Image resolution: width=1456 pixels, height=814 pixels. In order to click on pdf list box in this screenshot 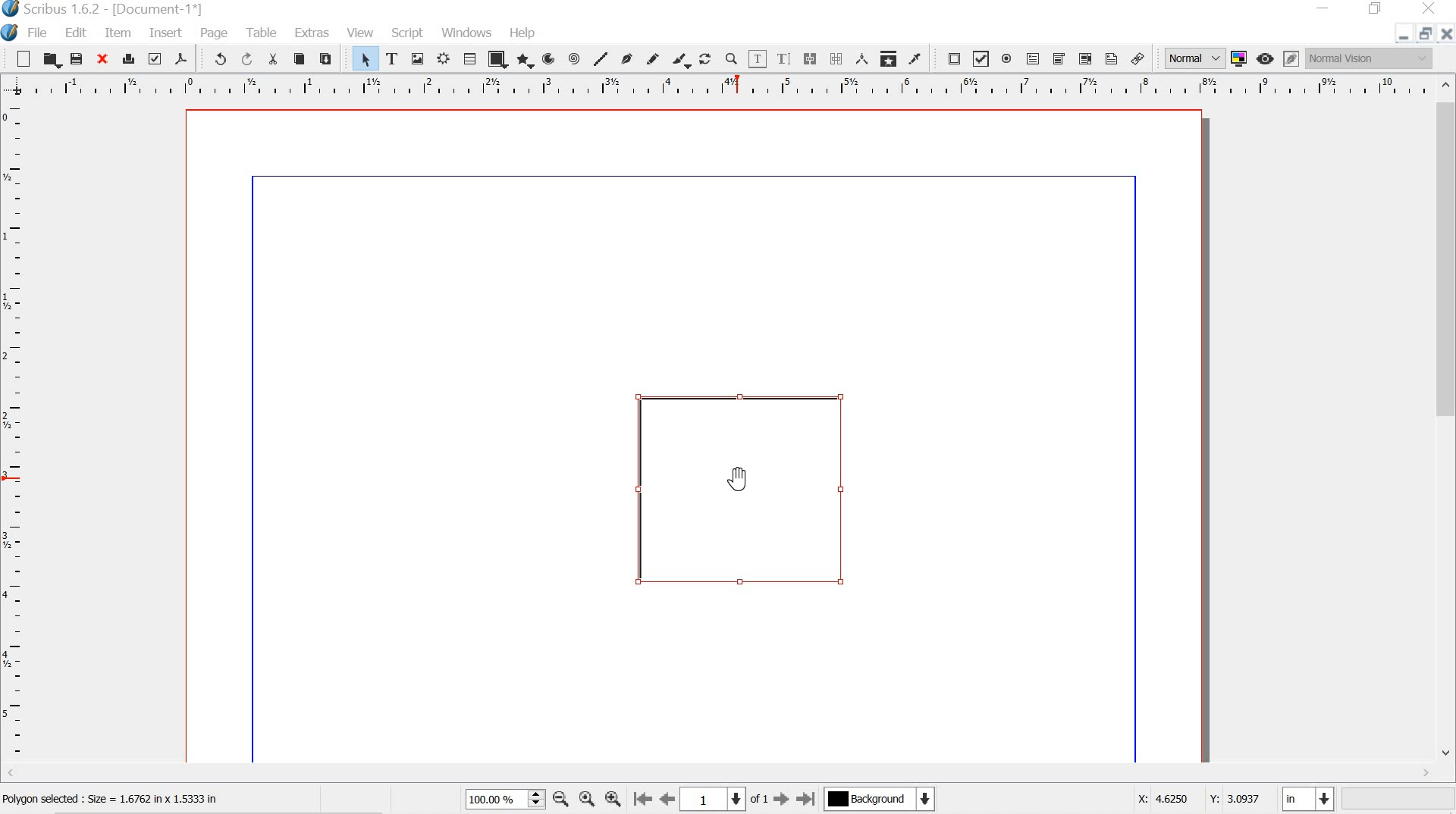, I will do `click(1084, 58)`.